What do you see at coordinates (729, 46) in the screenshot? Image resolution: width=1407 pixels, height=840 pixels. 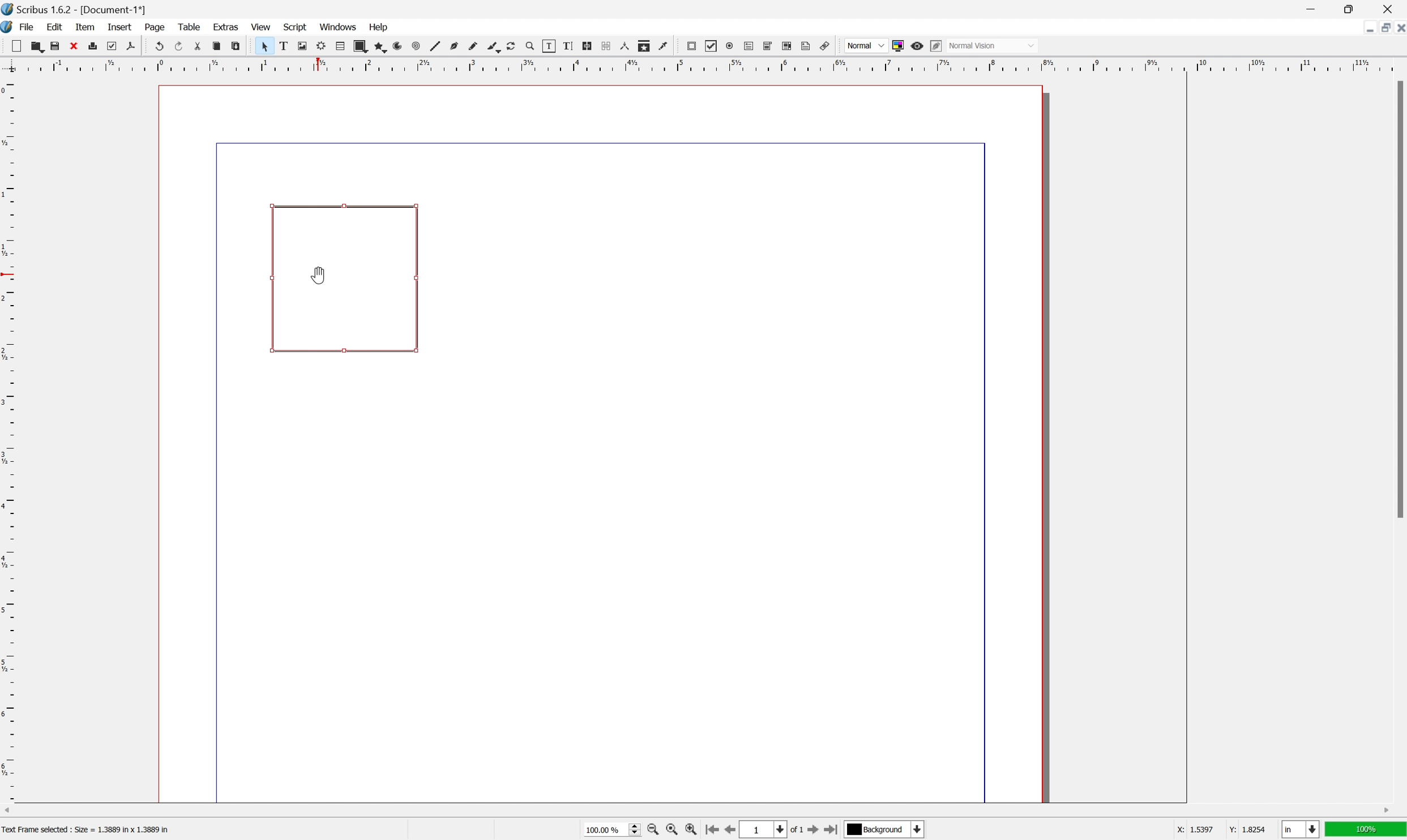 I see `pdf radio button` at bounding box center [729, 46].